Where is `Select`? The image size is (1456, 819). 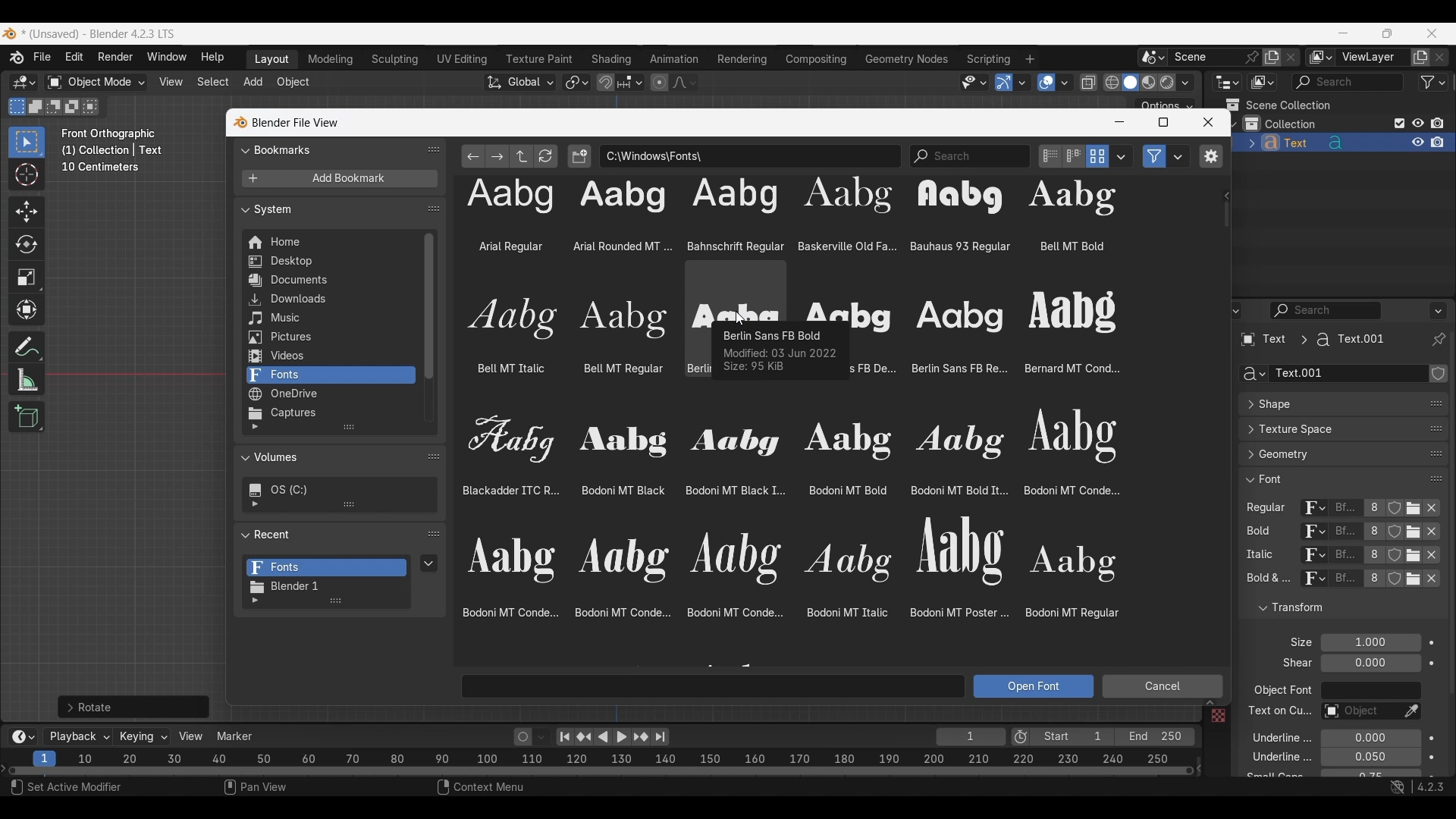 Select is located at coordinates (75, 789).